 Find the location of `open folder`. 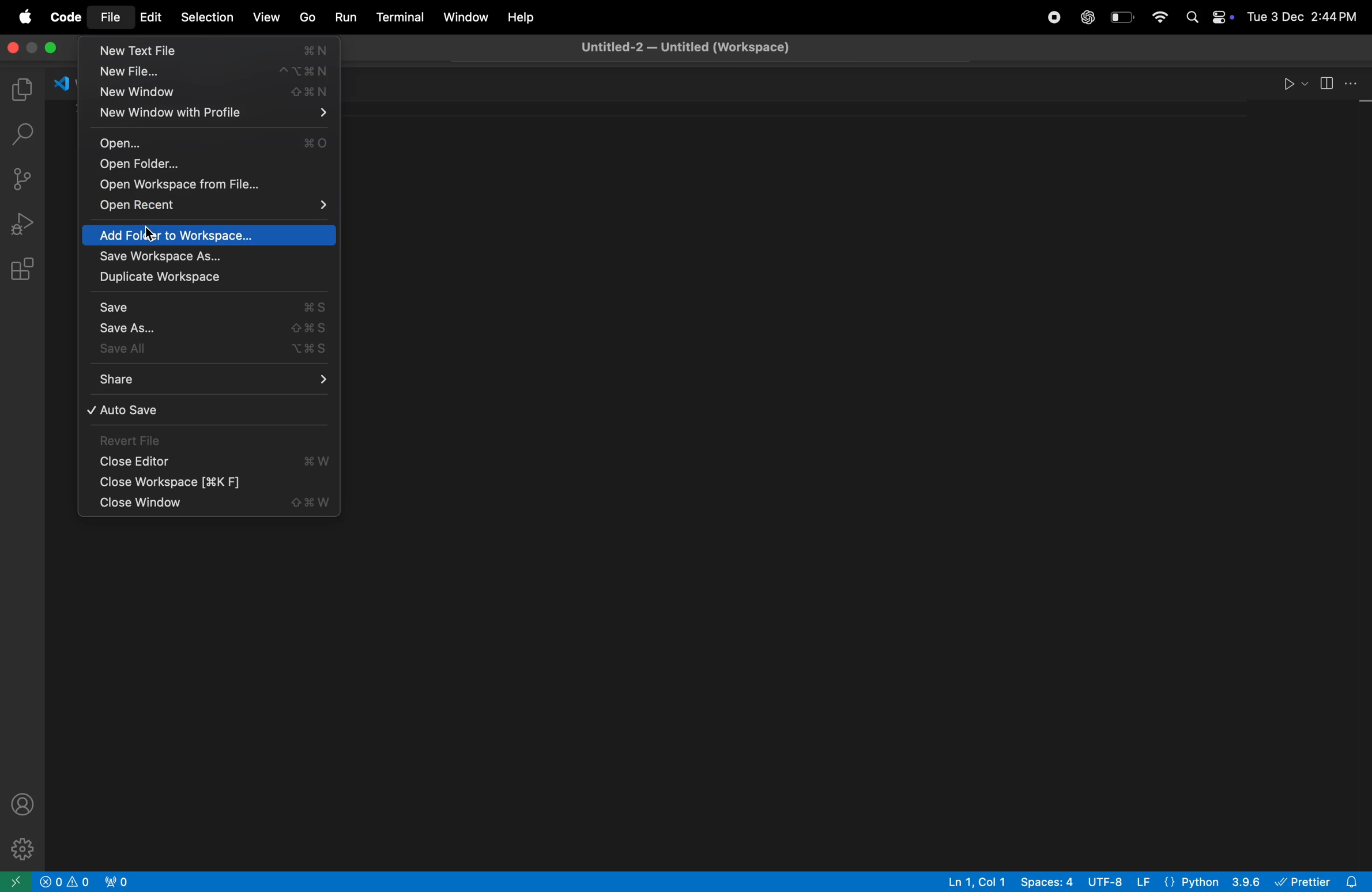

open folder is located at coordinates (210, 164).